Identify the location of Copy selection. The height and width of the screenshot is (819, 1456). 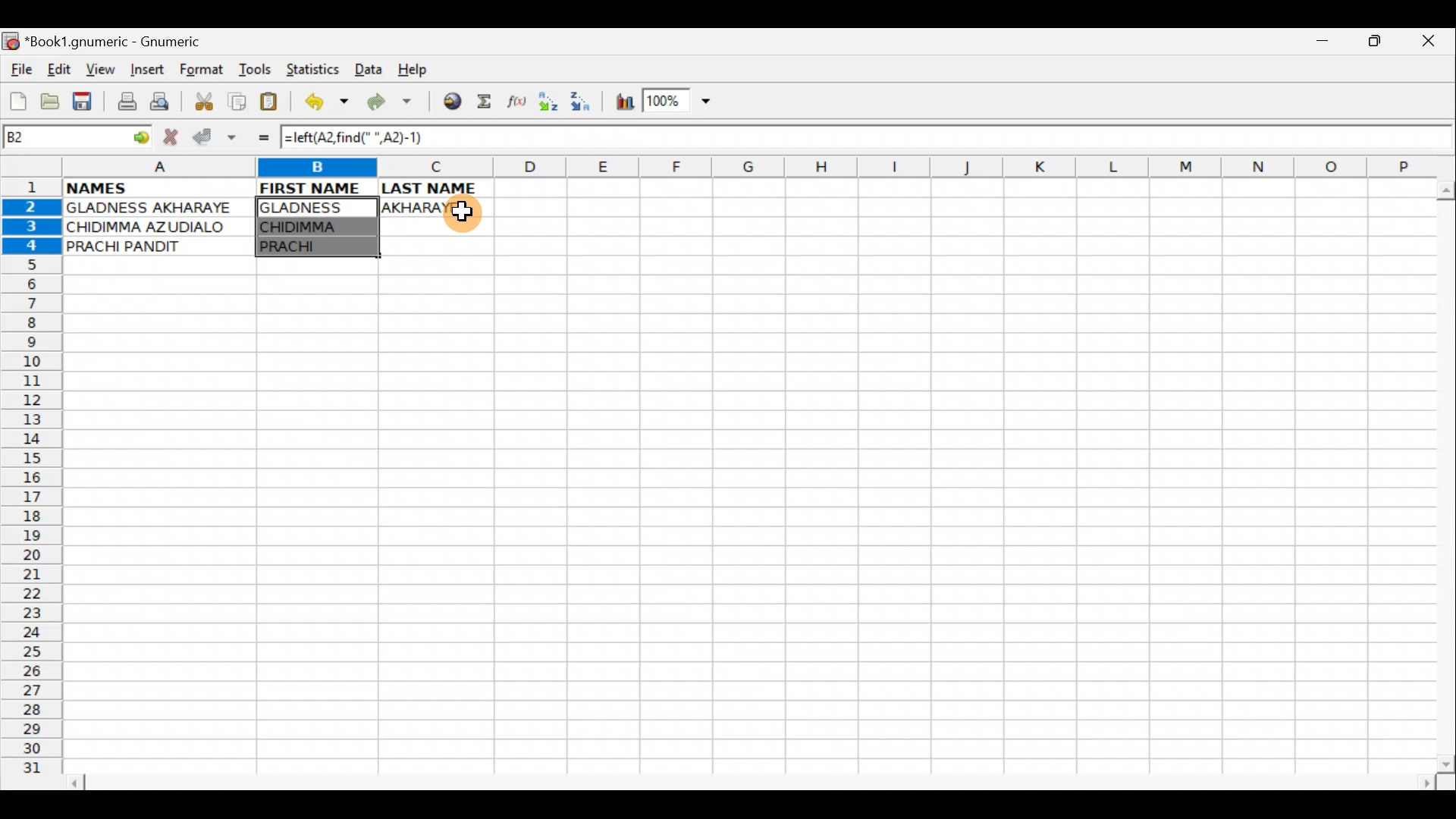
(238, 101).